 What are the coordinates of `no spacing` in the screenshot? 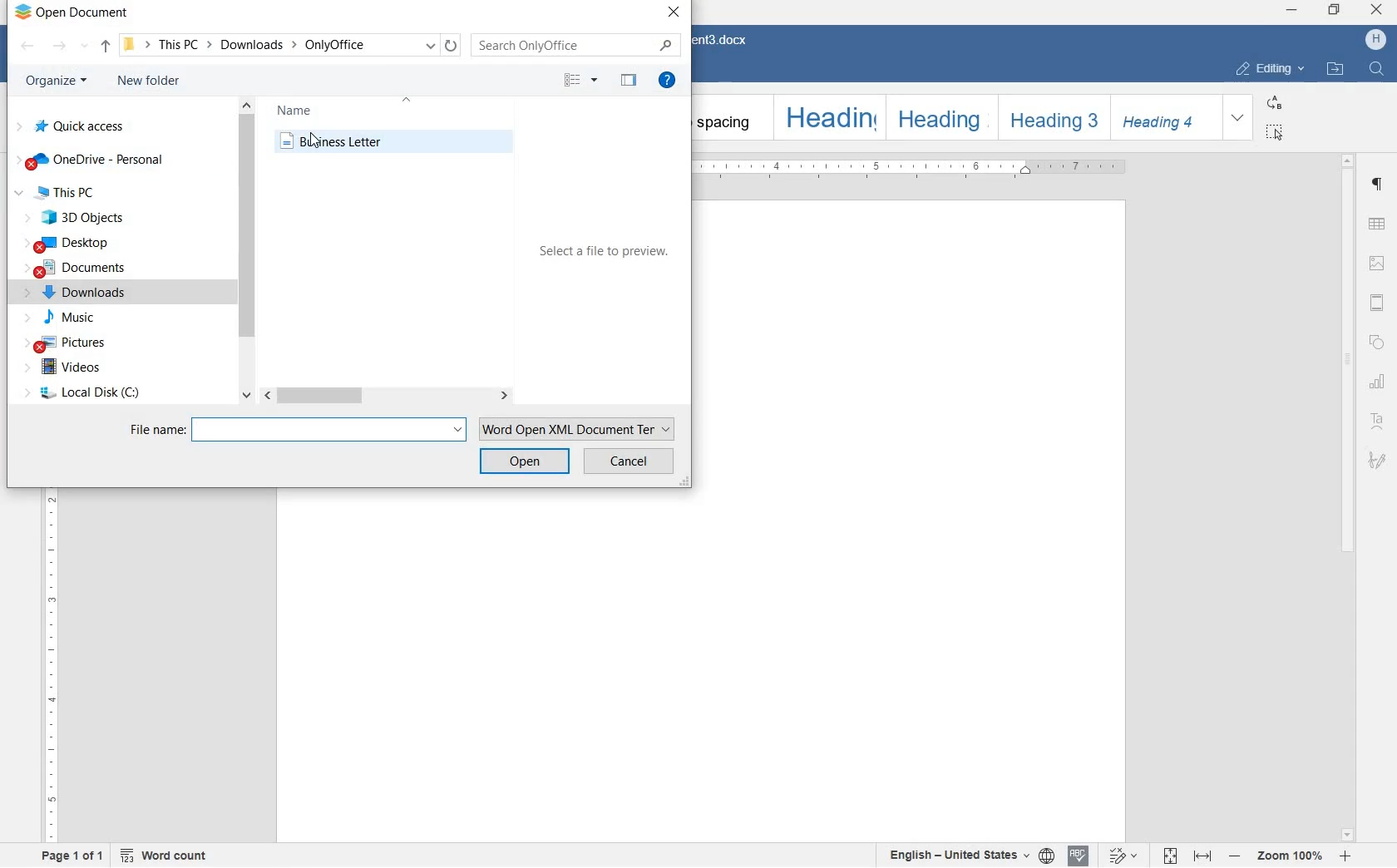 It's located at (727, 118).